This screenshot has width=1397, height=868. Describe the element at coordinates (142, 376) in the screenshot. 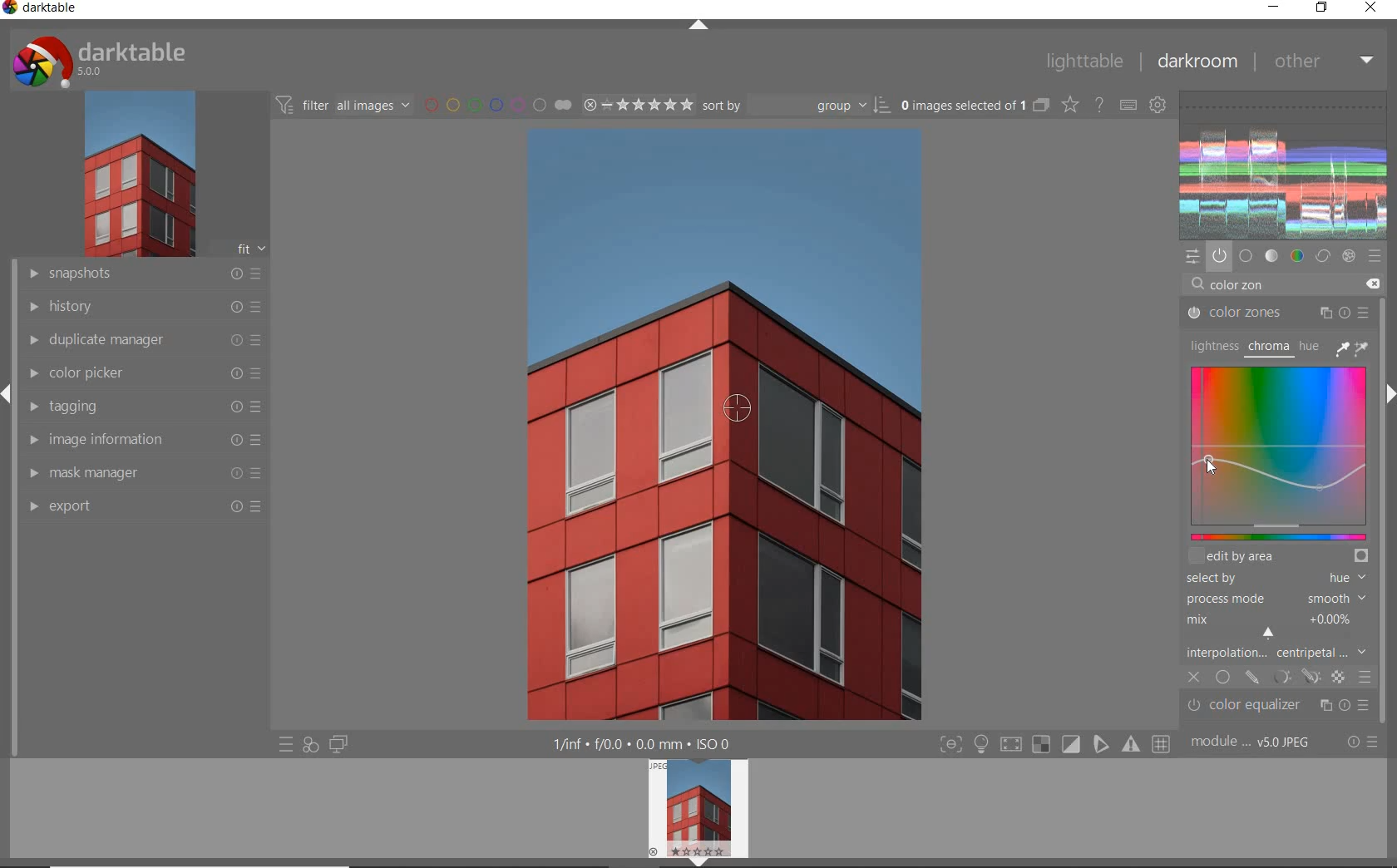

I see `color picker` at that location.